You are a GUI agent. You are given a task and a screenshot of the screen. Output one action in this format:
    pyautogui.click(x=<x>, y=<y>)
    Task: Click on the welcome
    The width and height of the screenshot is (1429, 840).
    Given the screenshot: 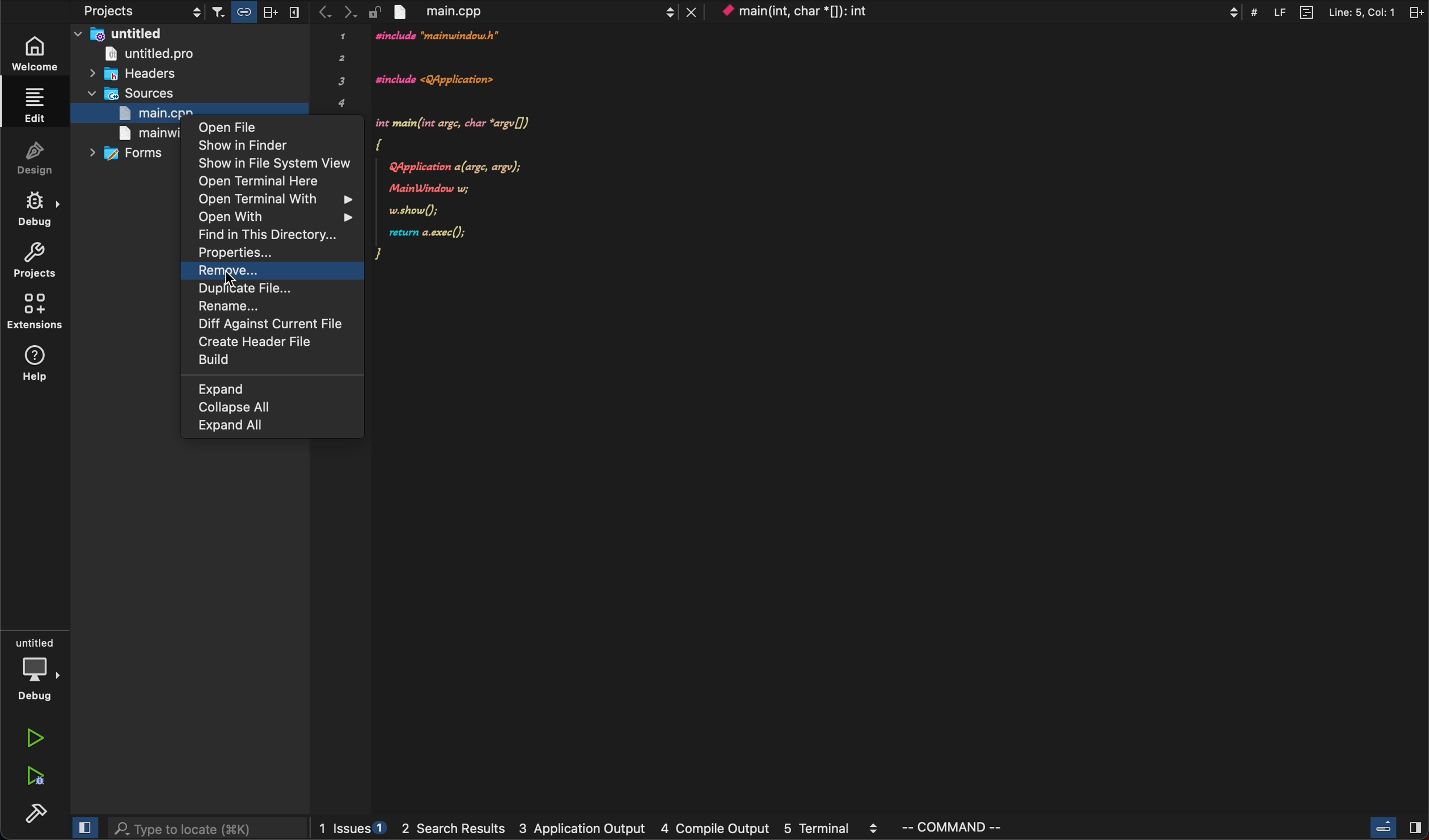 What is the action you would take?
    pyautogui.click(x=36, y=52)
    